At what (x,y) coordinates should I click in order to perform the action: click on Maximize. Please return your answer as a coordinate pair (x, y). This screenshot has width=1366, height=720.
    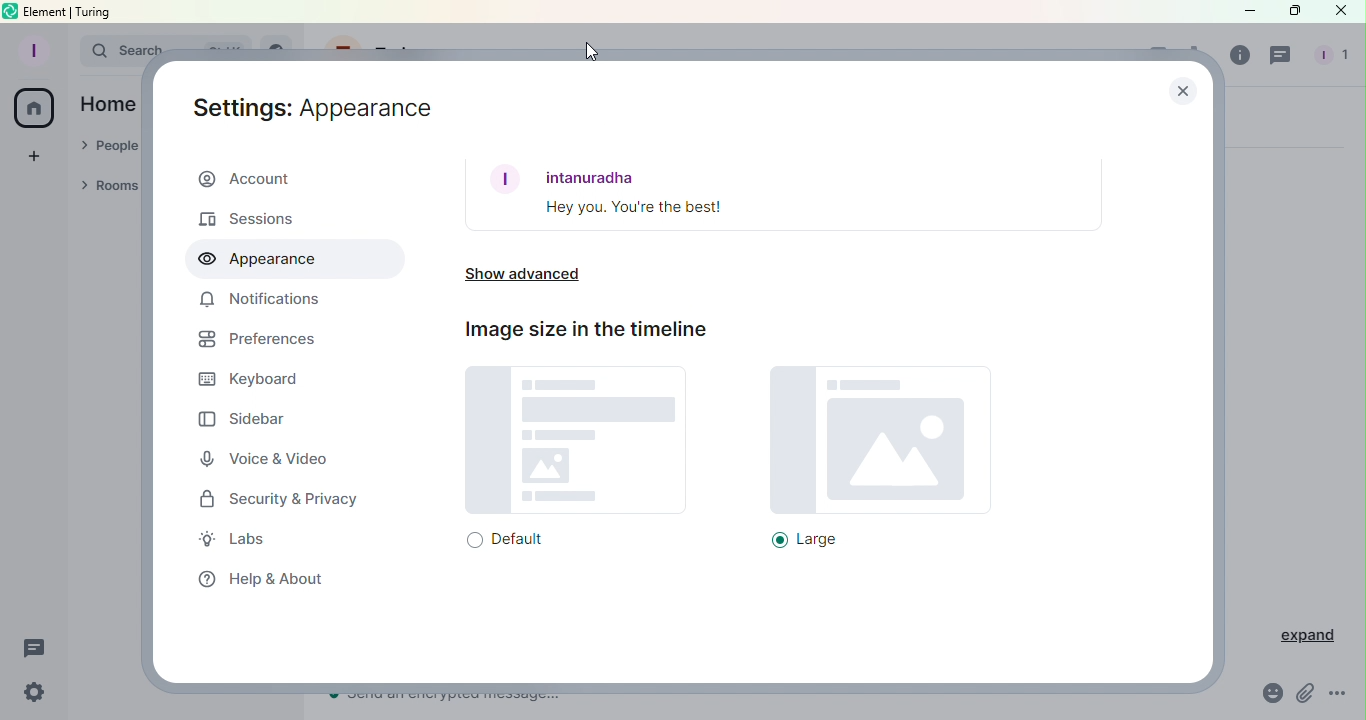
    Looking at the image, I should click on (1291, 12).